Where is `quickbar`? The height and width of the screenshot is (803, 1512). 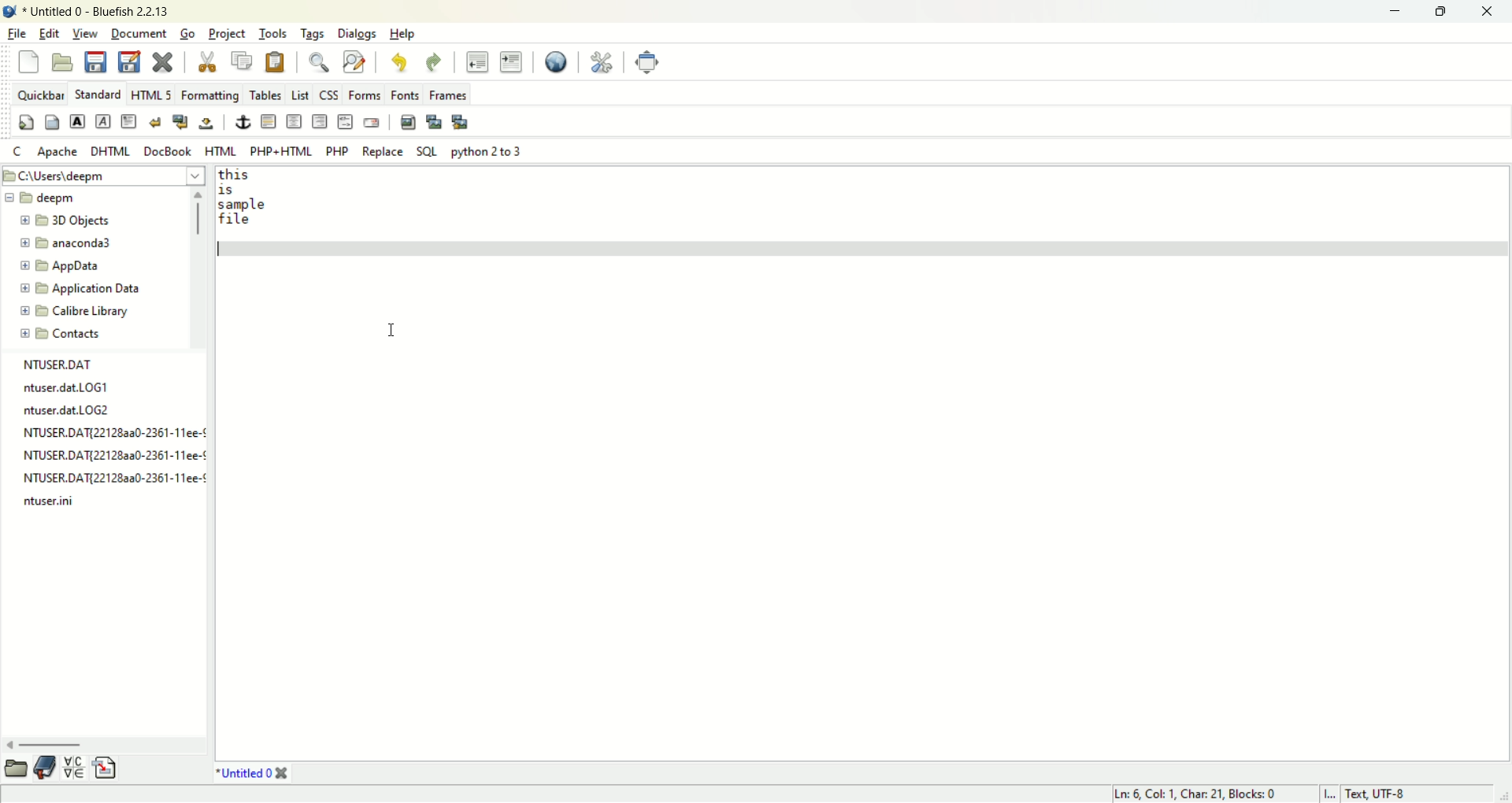
quickbar is located at coordinates (43, 96).